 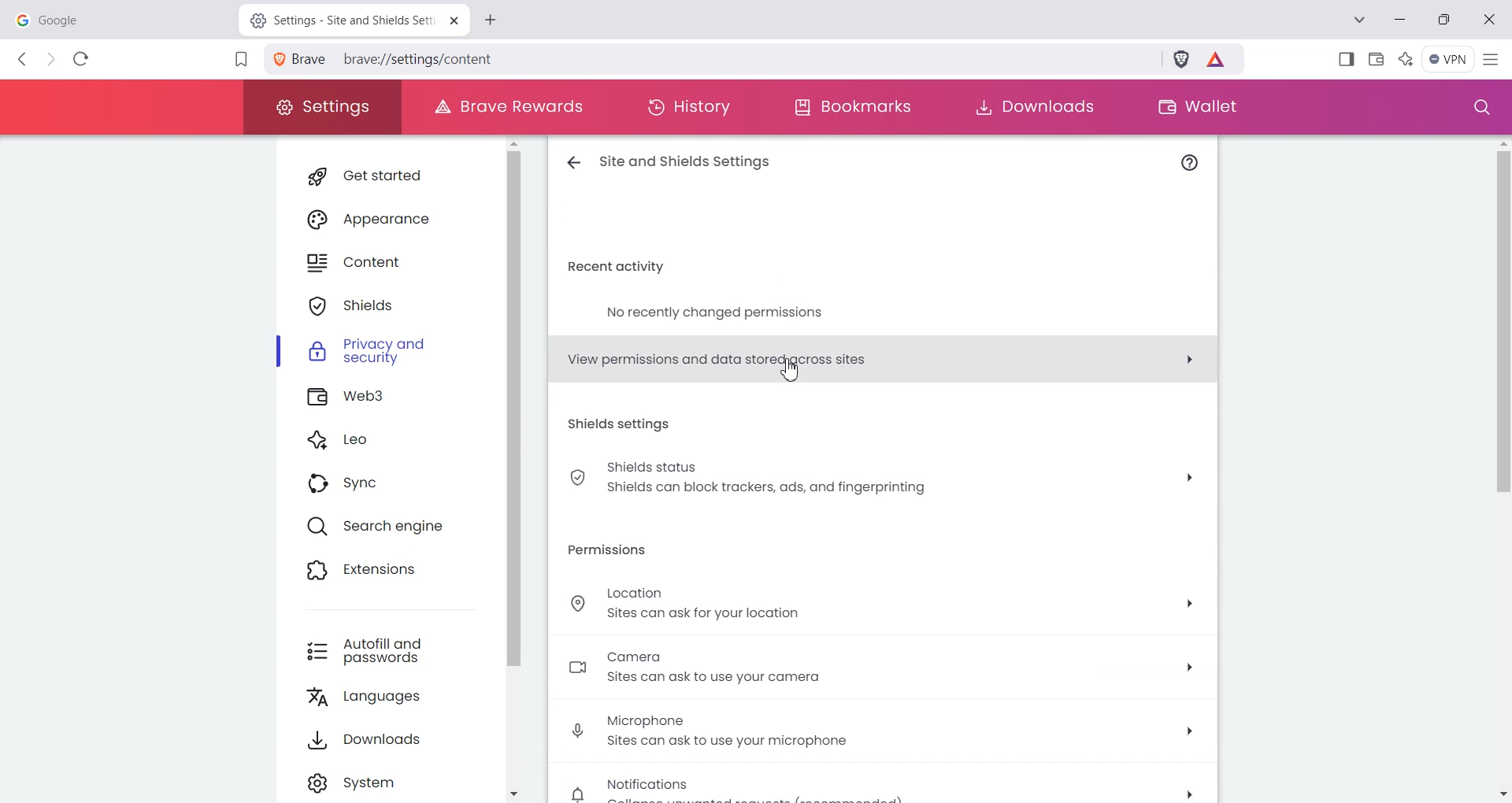 I want to click on Content, so click(x=388, y=263).